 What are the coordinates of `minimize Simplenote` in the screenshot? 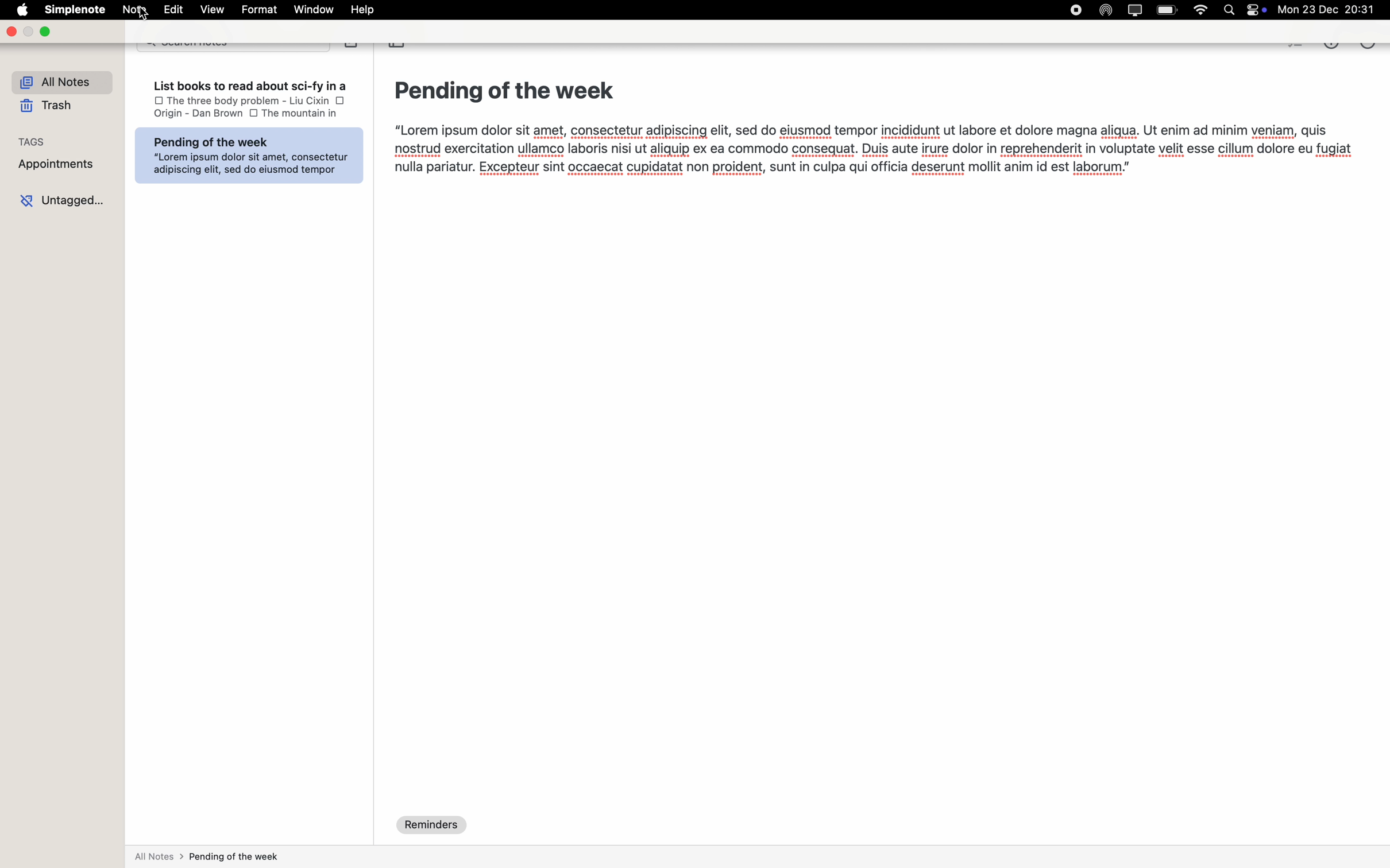 It's located at (29, 31).